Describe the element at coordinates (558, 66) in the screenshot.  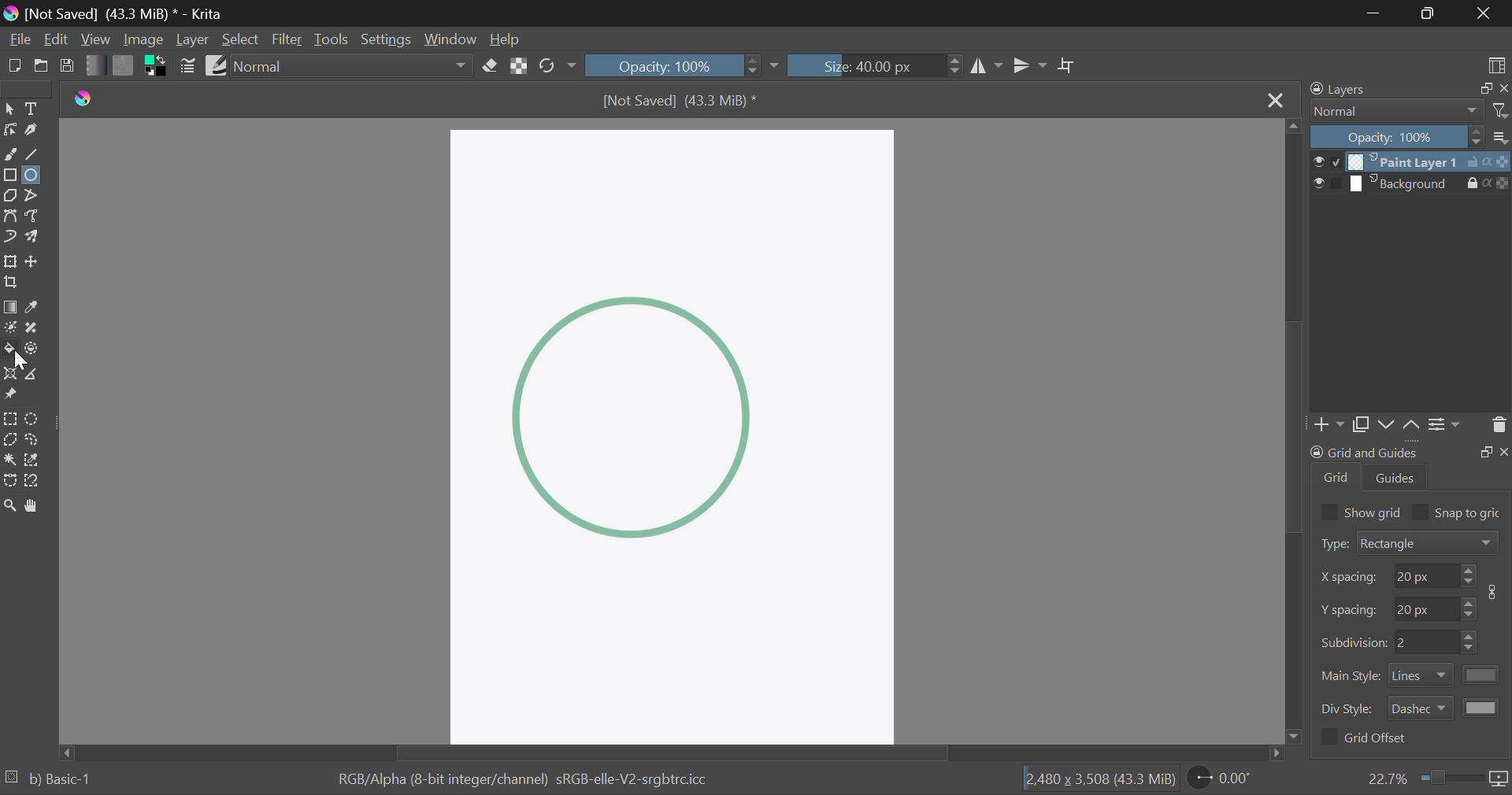
I see `Rotate` at that location.